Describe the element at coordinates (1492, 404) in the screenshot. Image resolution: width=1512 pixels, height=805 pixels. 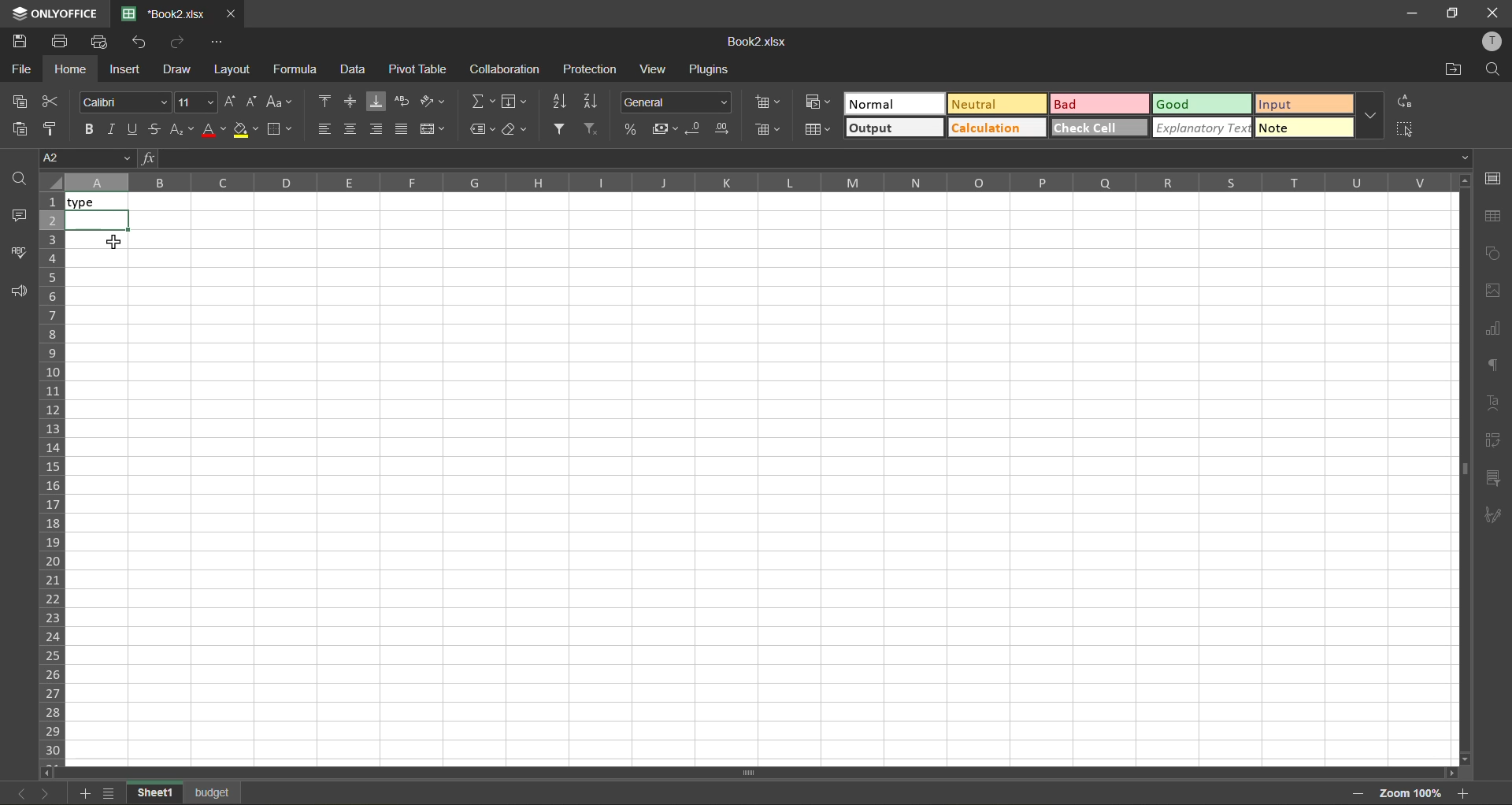
I see `text` at that location.